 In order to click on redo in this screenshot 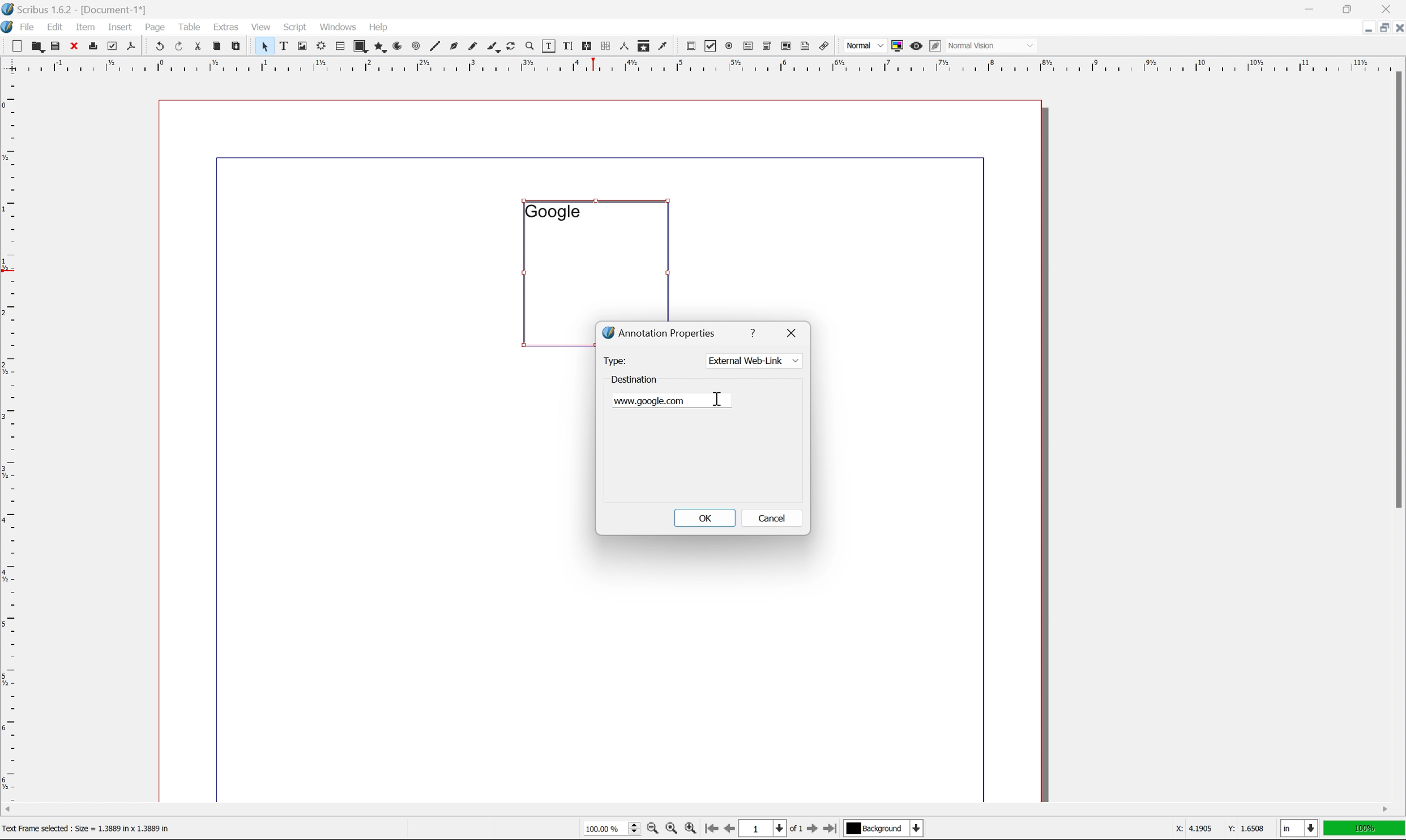, I will do `click(180, 47)`.